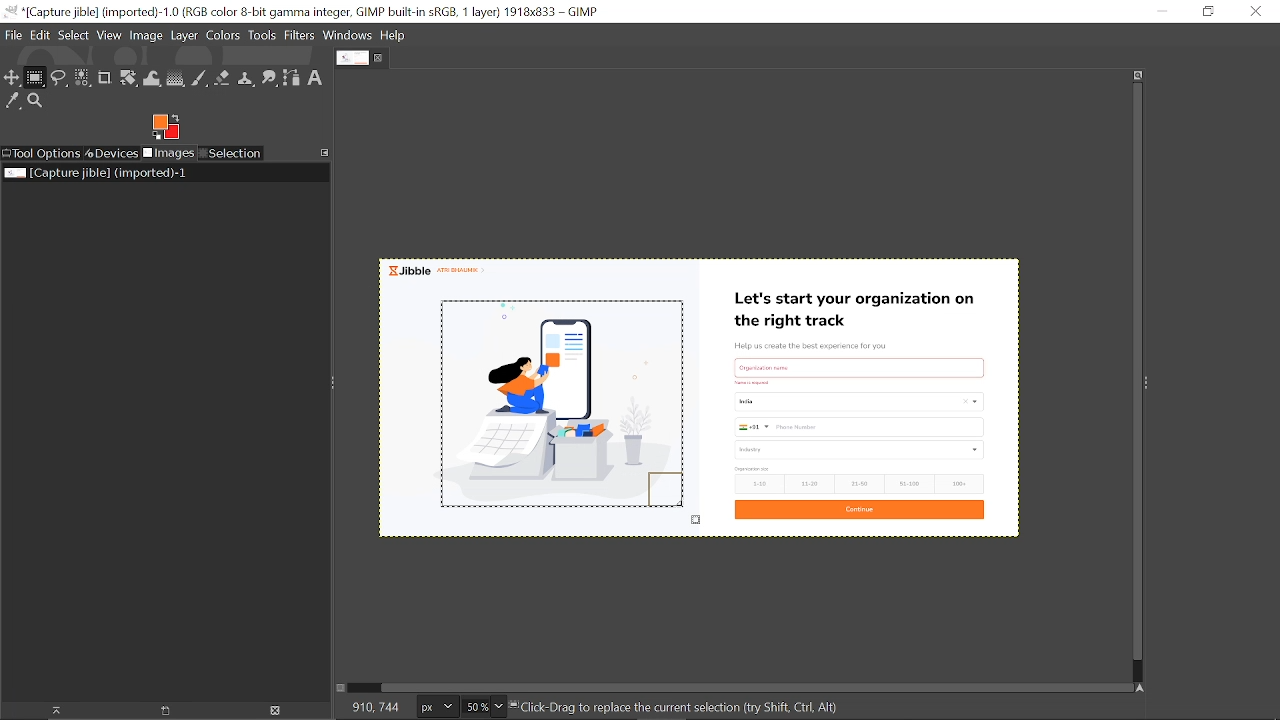  What do you see at coordinates (112, 153) in the screenshot?
I see `Devices` at bounding box center [112, 153].